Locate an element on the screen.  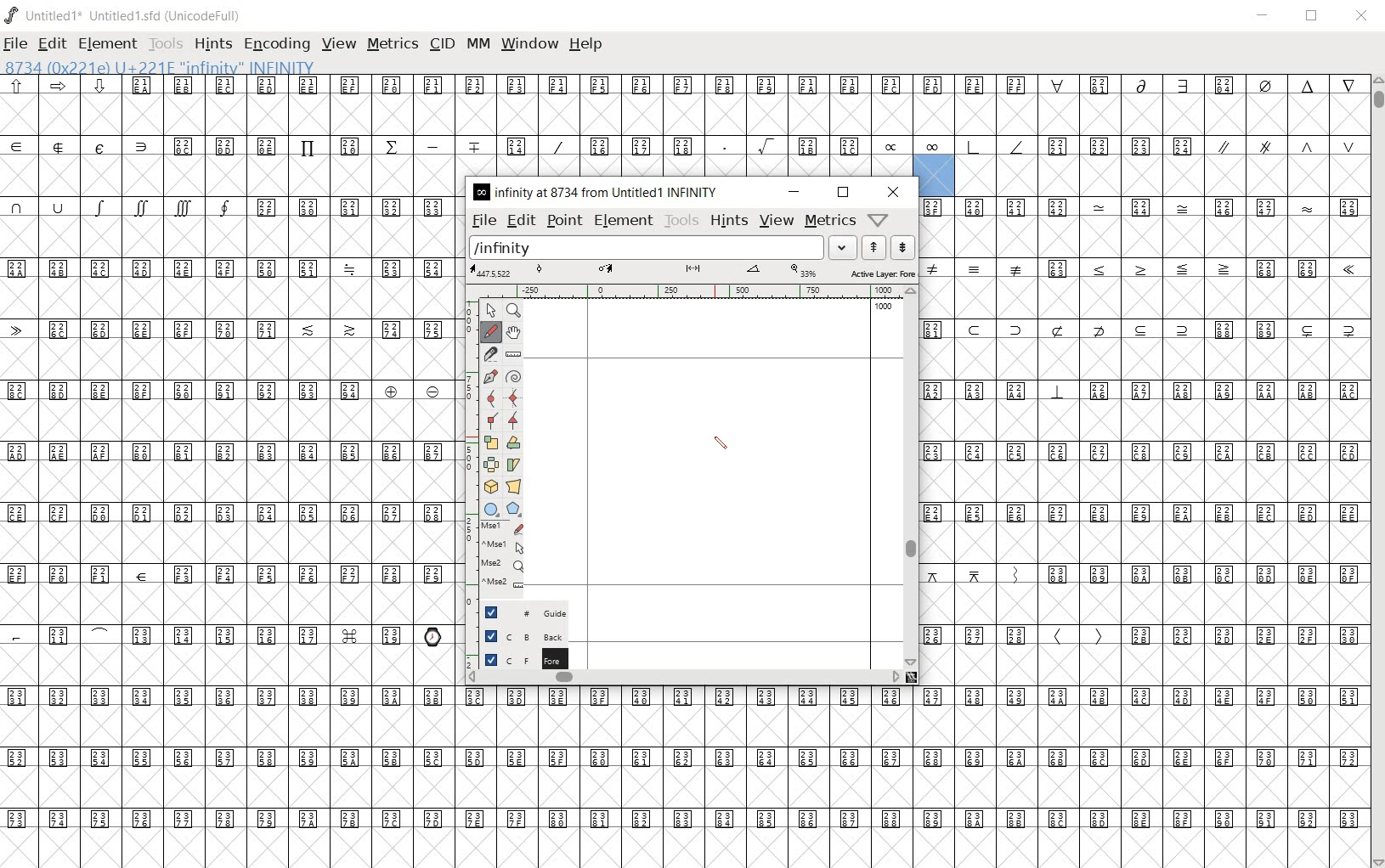
special symbols is located at coordinates (82, 145).